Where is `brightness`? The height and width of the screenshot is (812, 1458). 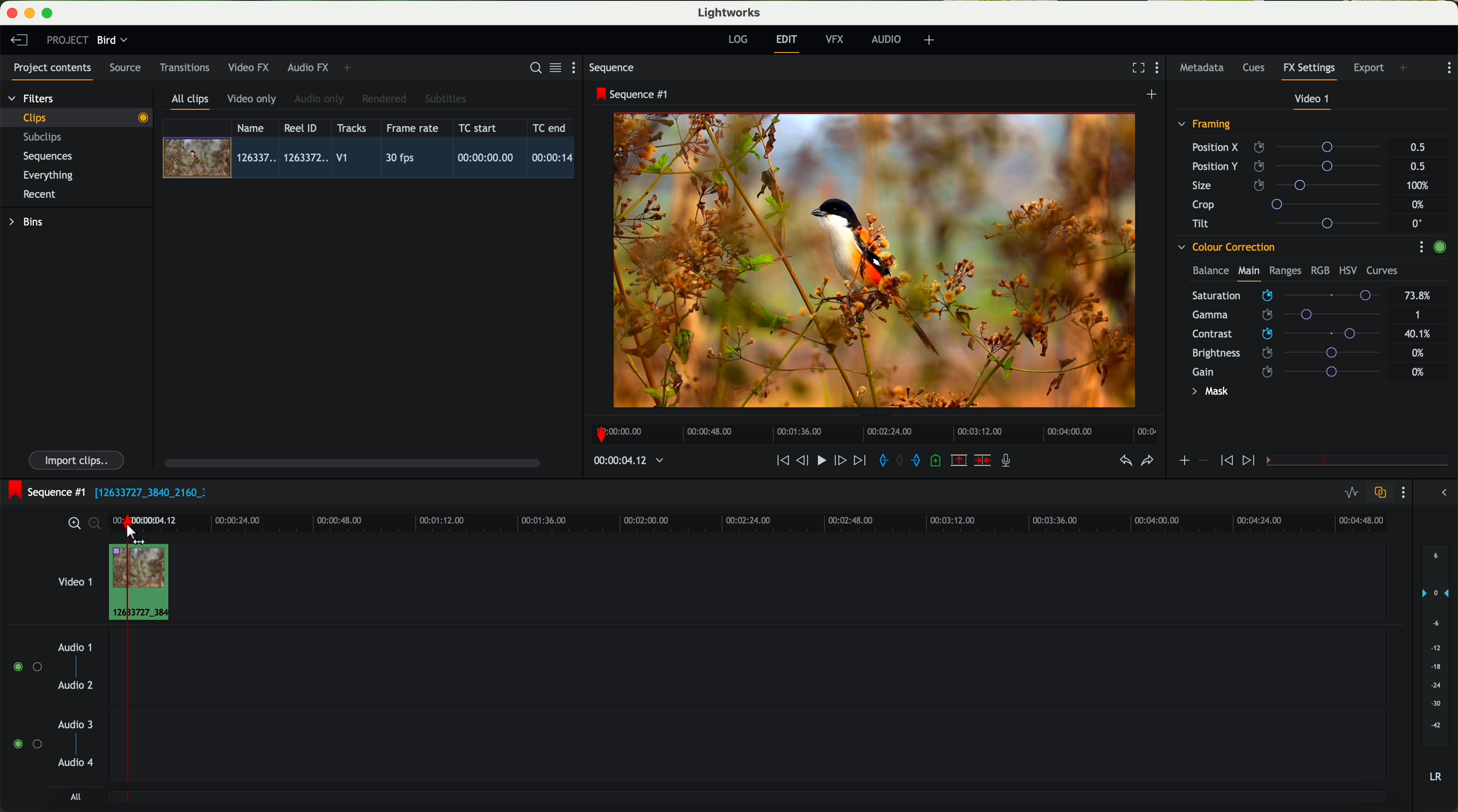 brightness is located at coordinates (1293, 353).